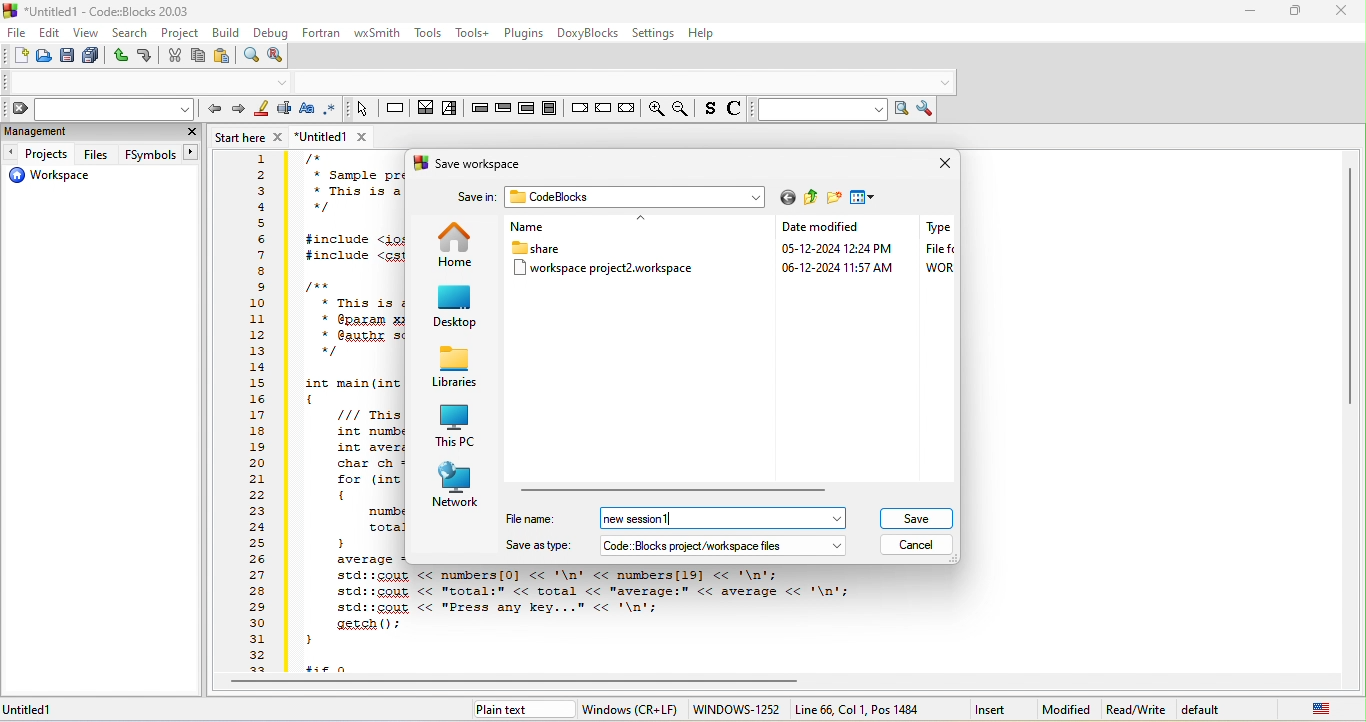 This screenshot has height=722, width=1366. Describe the element at coordinates (378, 34) in the screenshot. I see `wxsmith` at that location.